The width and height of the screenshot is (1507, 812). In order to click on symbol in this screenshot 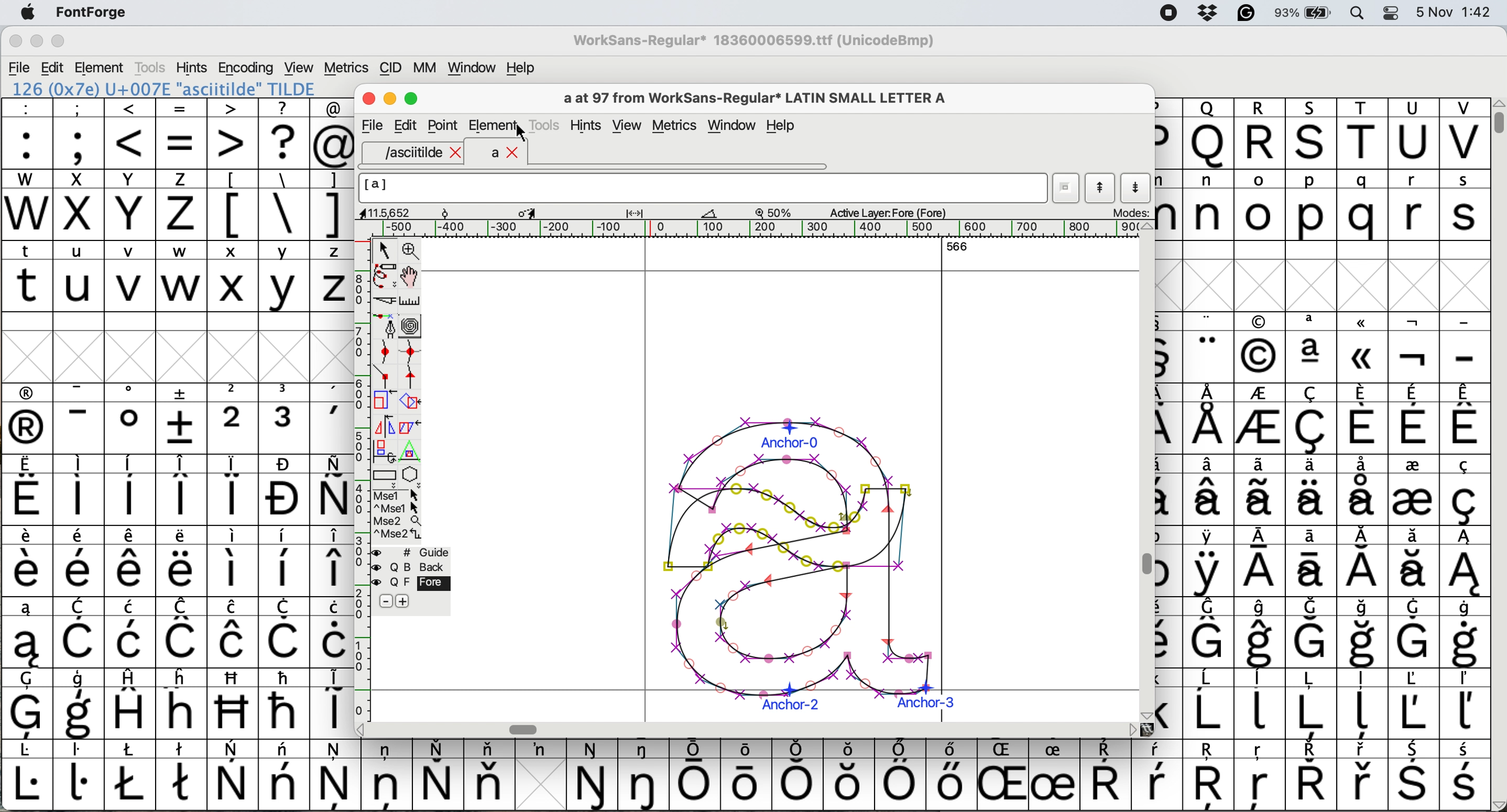, I will do `click(183, 490)`.